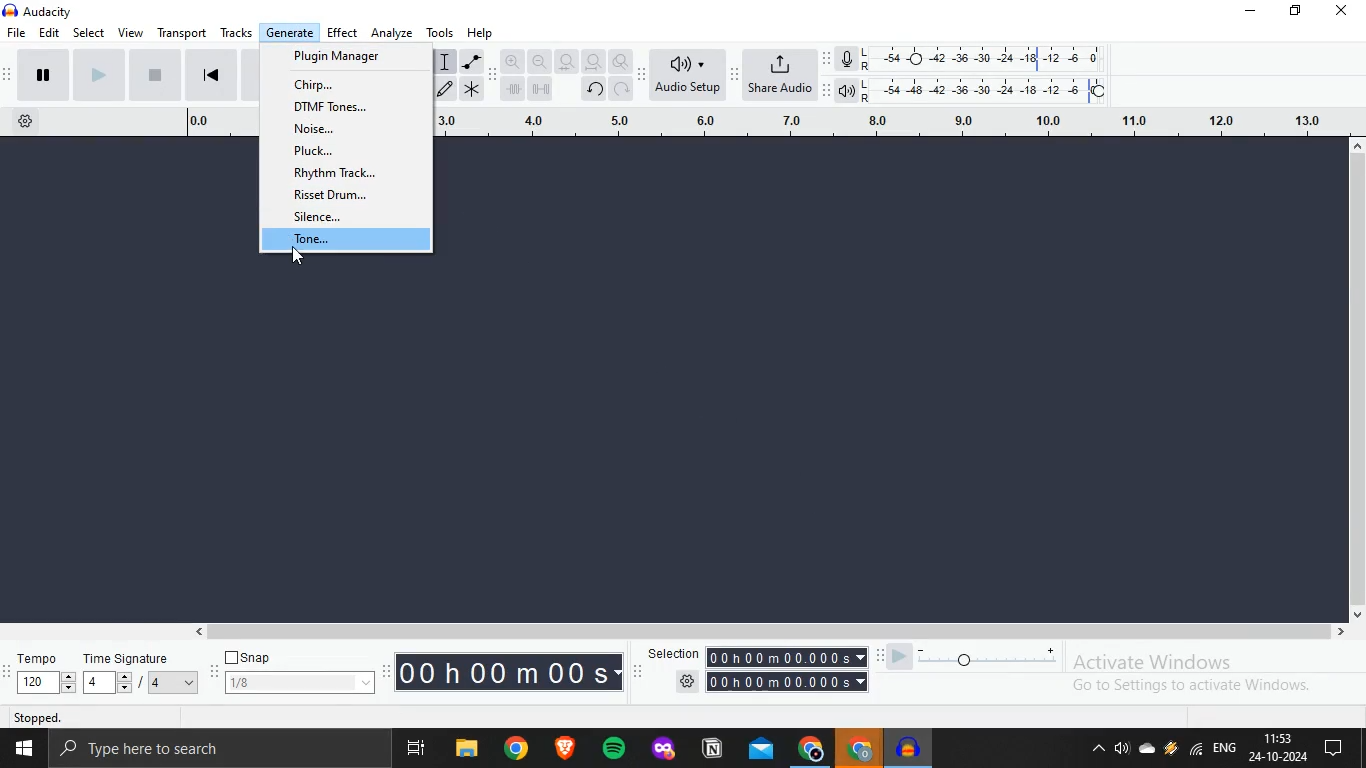 The width and height of the screenshot is (1366, 768). What do you see at coordinates (513, 89) in the screenshot?
I see `Time Shift` at bounding box center [513, 89].